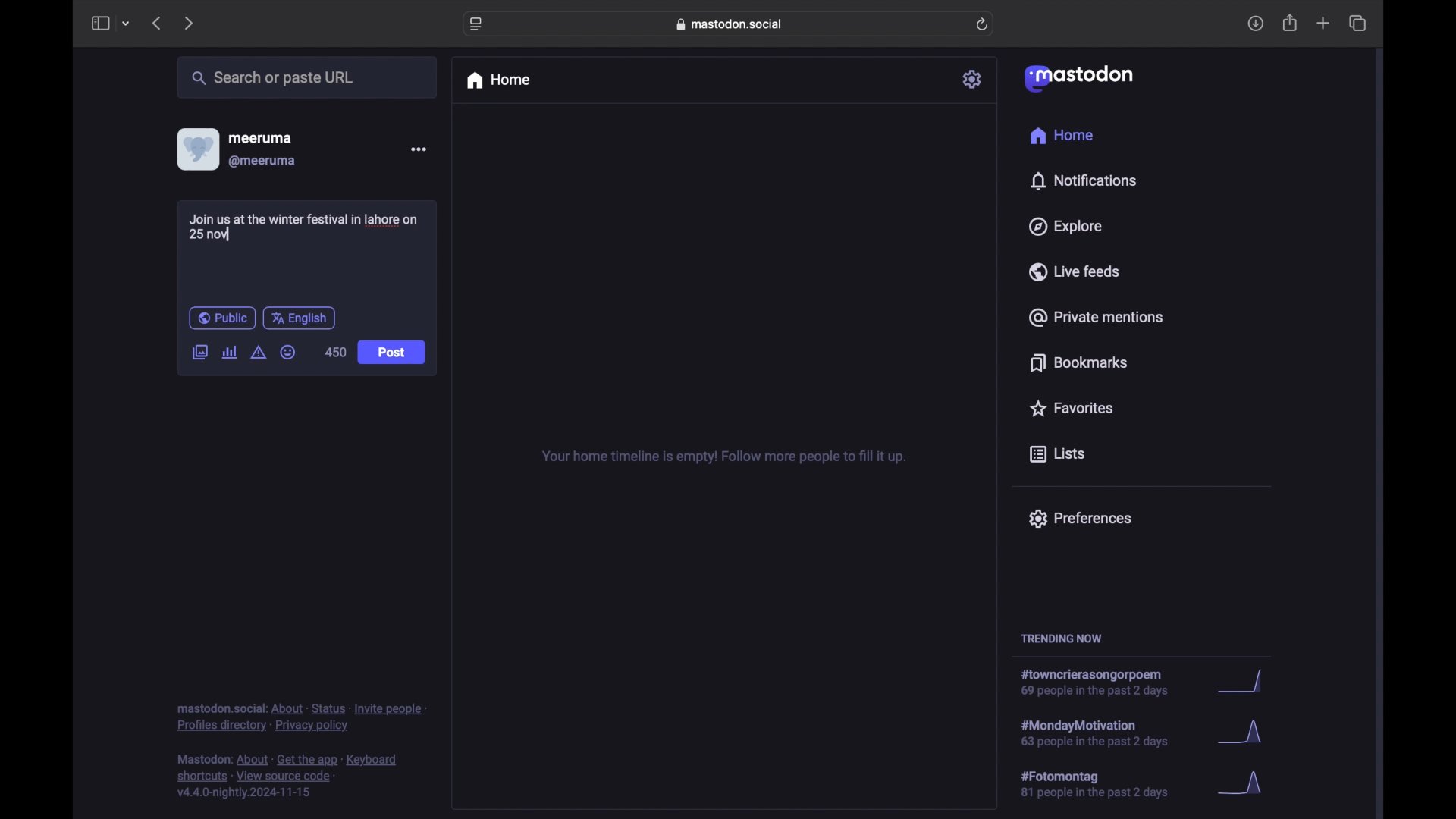 The height and width of the screenshot is (819, 1456). I want to click on web address, so click(733, 24).